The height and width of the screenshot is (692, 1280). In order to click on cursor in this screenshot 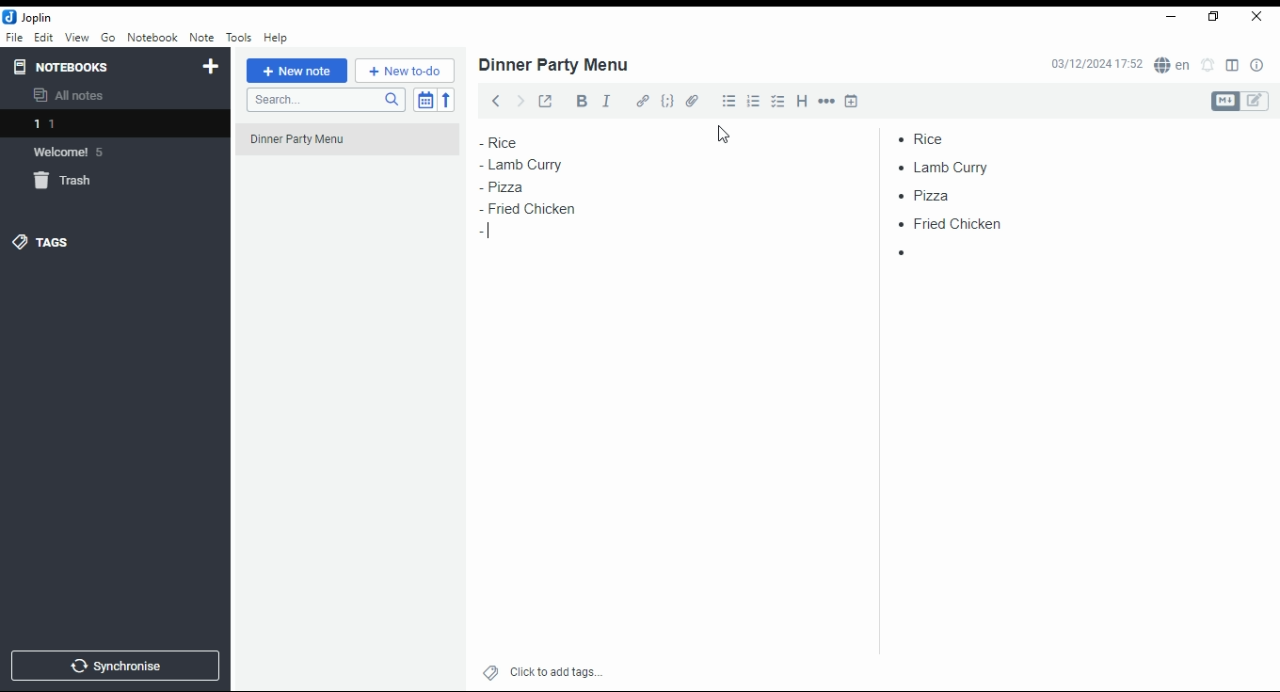, I will do `click(726, 136)`.